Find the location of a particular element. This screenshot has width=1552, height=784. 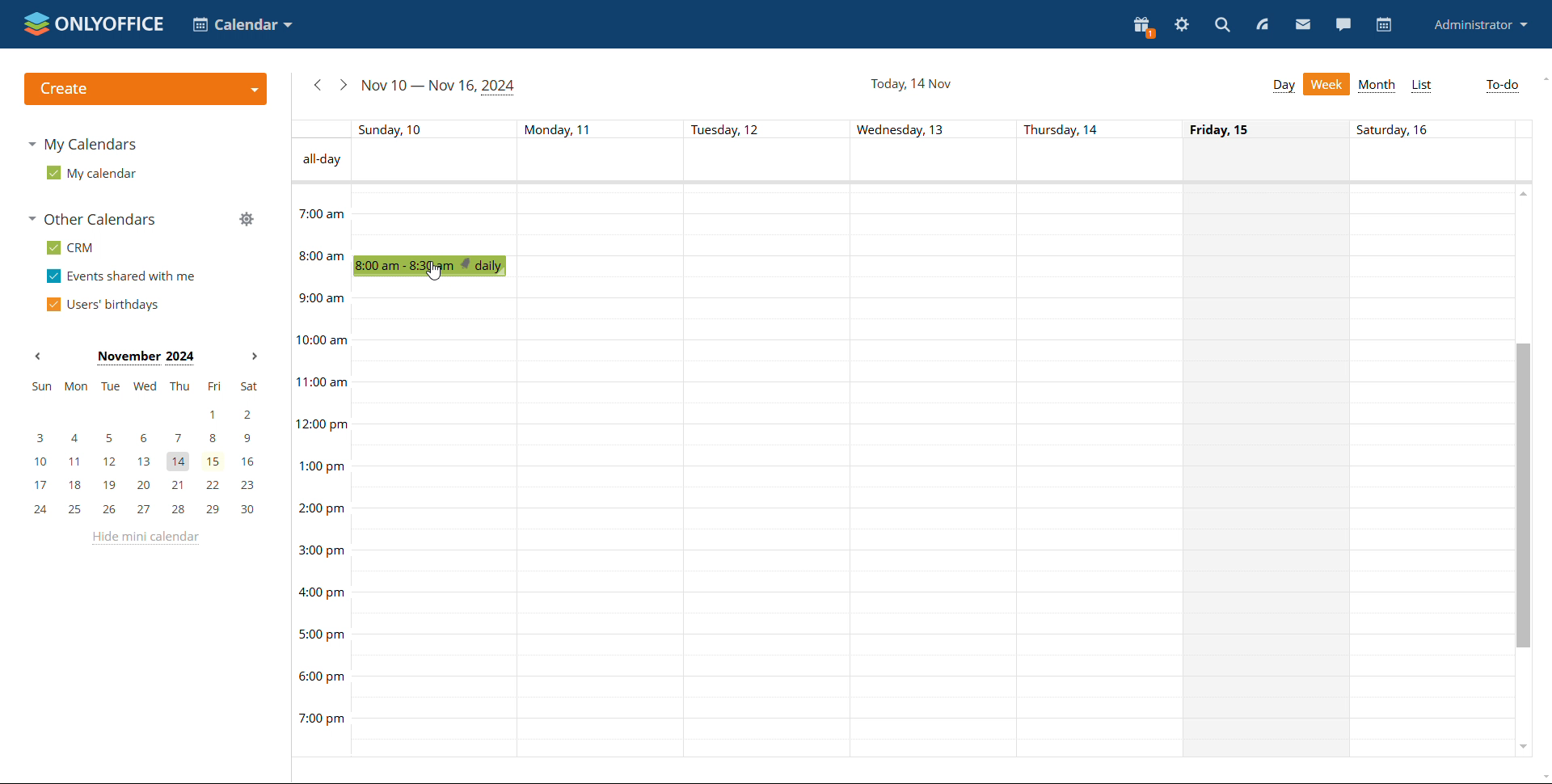

scroll up is located at coordinates (1525, 192).